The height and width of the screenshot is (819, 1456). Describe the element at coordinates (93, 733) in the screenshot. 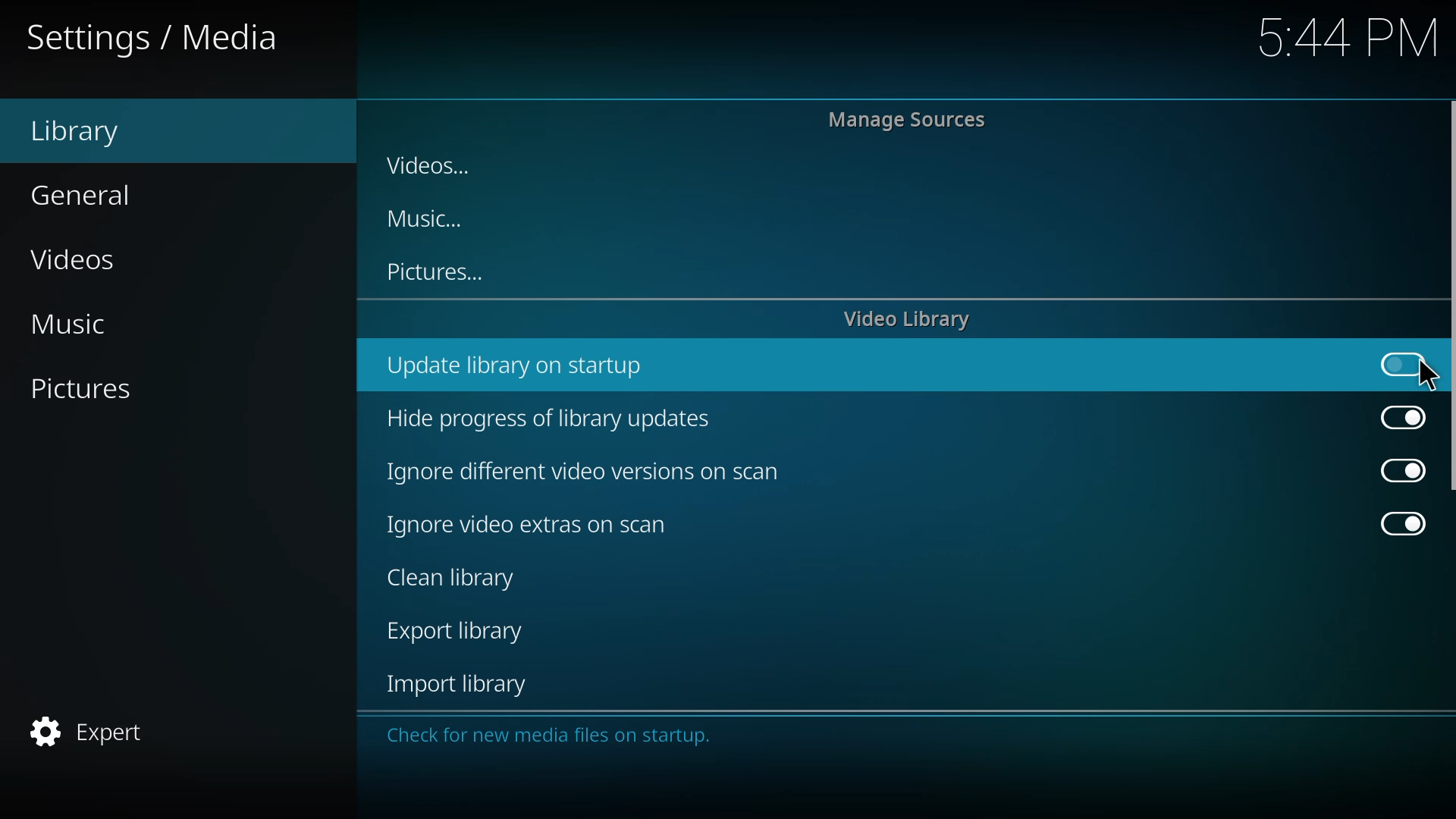

I see `expert` at that location.